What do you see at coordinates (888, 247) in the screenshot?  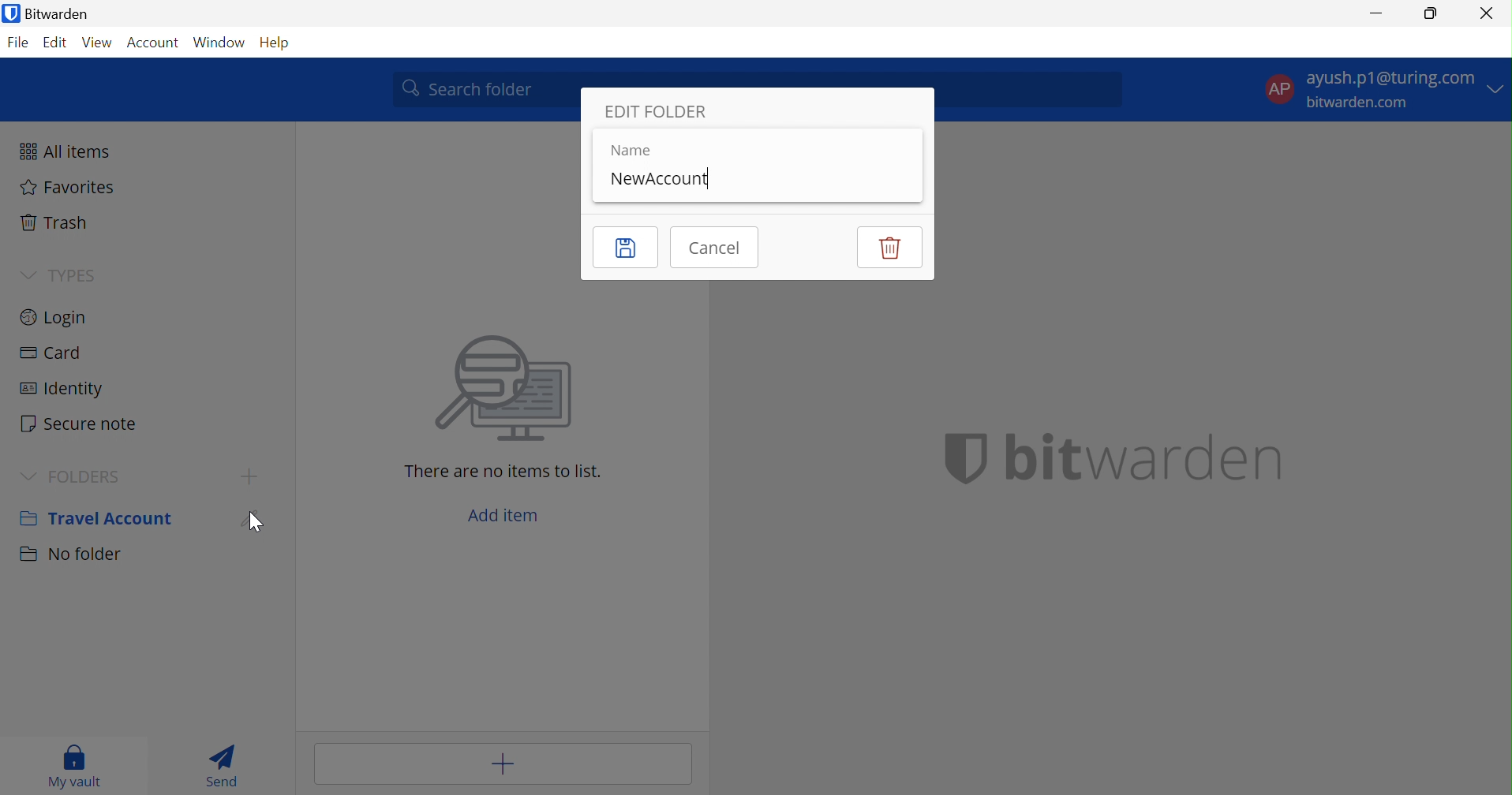 I see `Delete` at bounding box center [888, 247].